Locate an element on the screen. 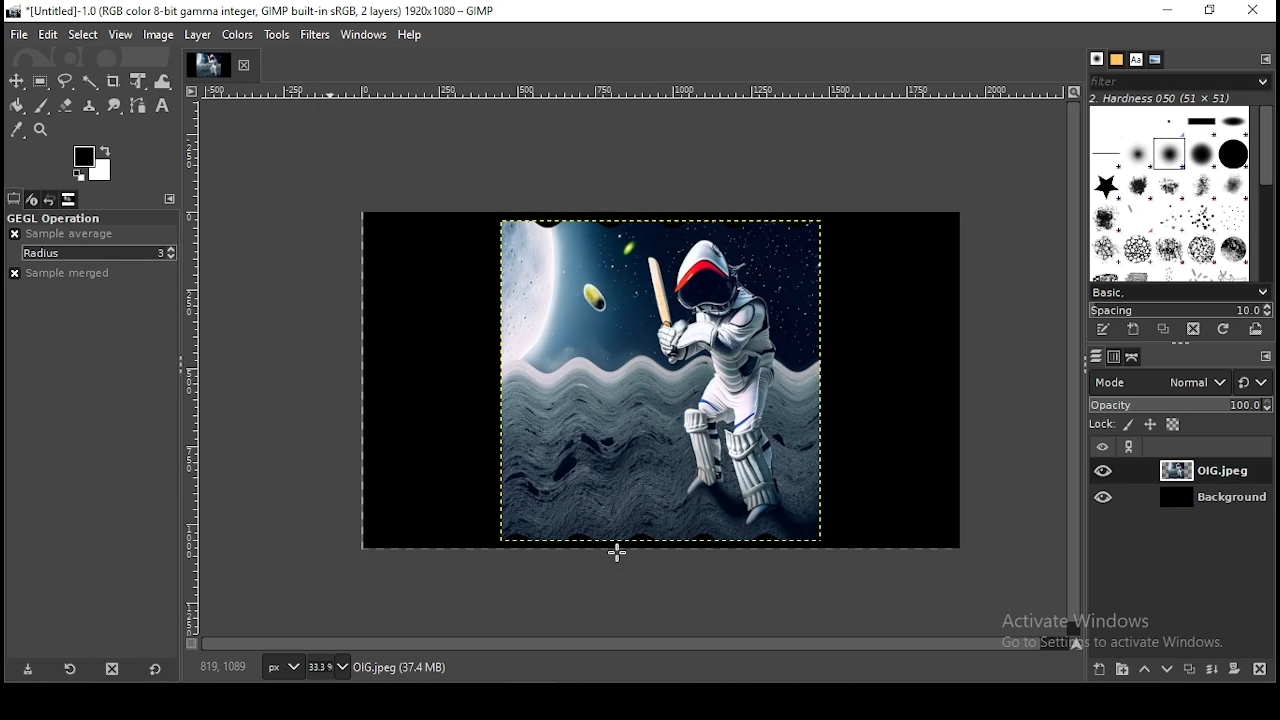  lock position and size is located at coordinates (1150, 425).